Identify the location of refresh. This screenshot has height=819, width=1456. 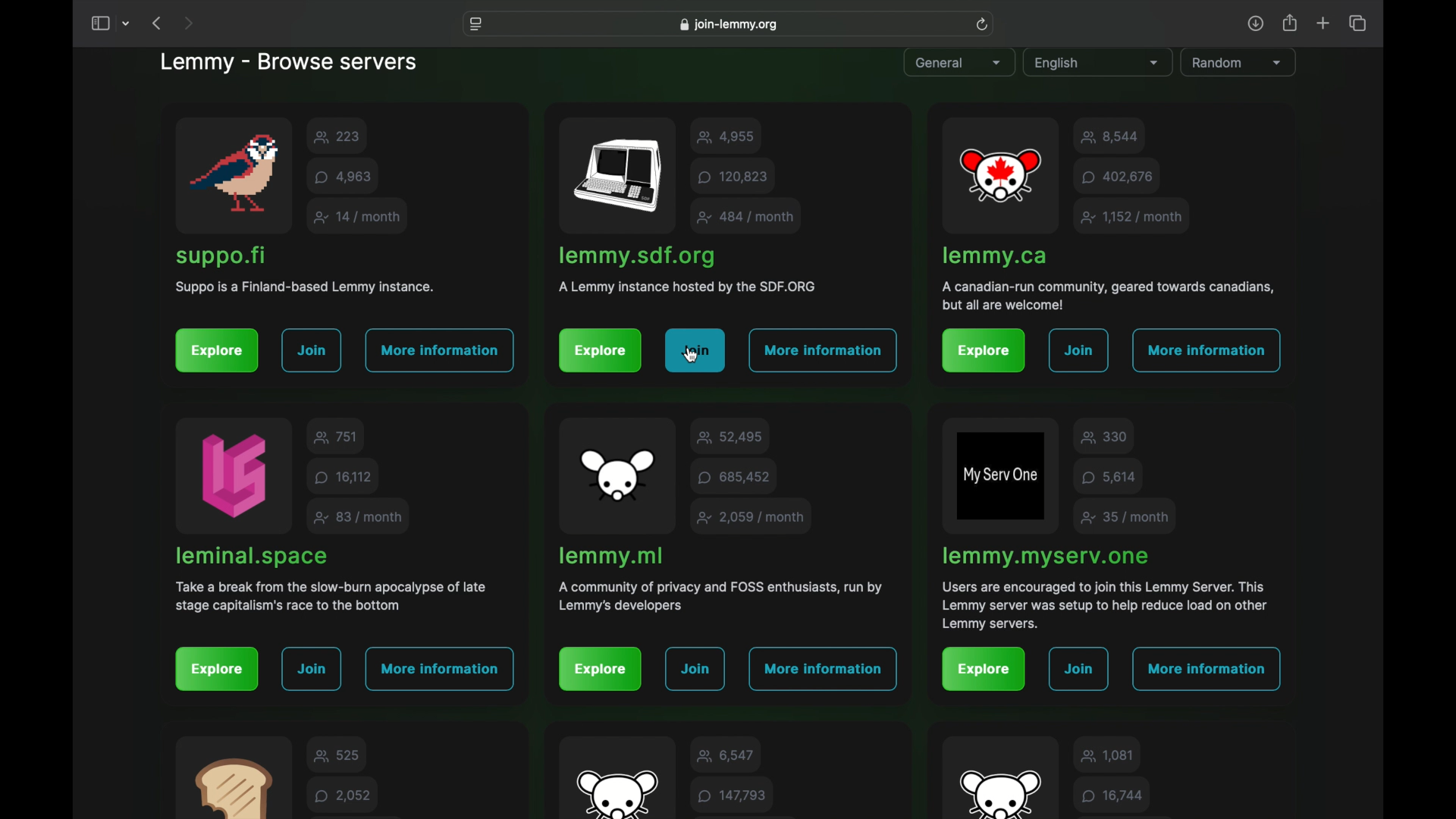
(982, 24).